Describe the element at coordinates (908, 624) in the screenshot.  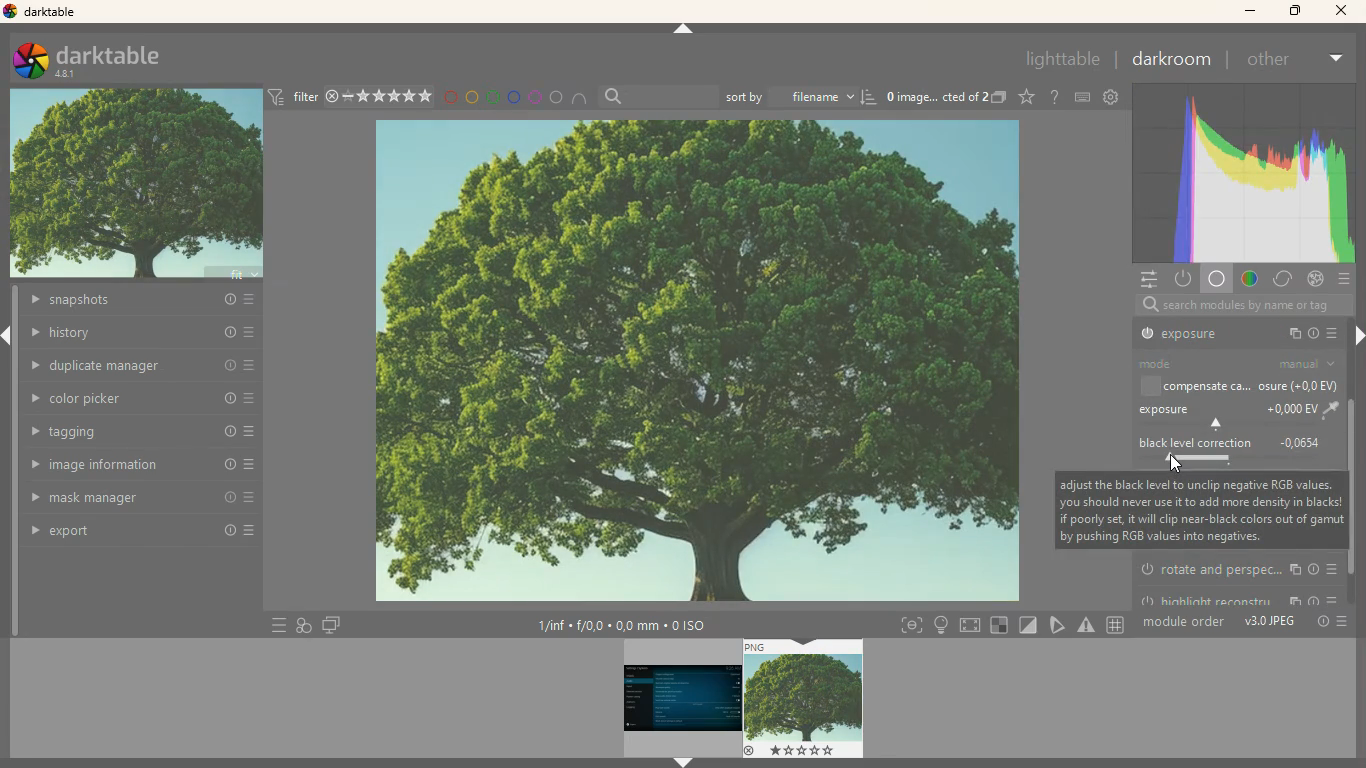
I see `frame` at that location.